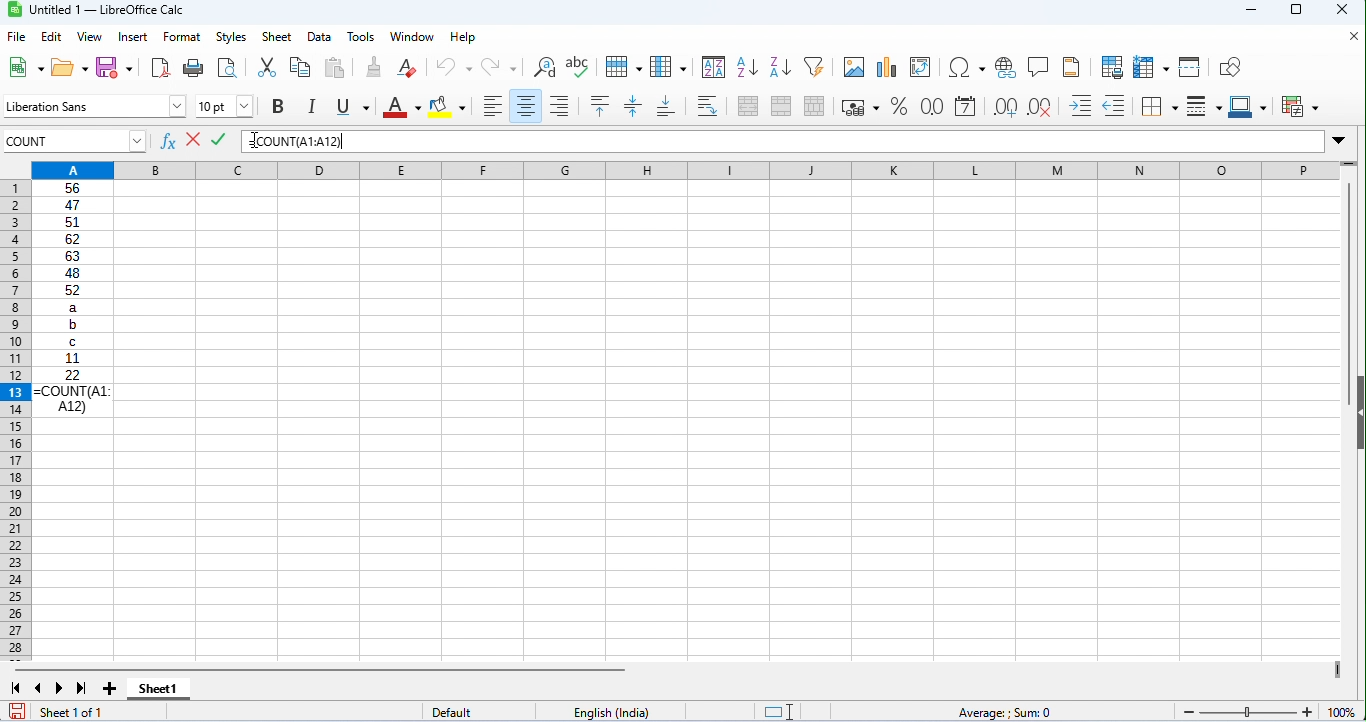 The height and width of the screenshot is (722, 1366). What do you see at coordinates (835, 141) in the screenshot?
I see `formula bar` at bounding box center [835, 141].